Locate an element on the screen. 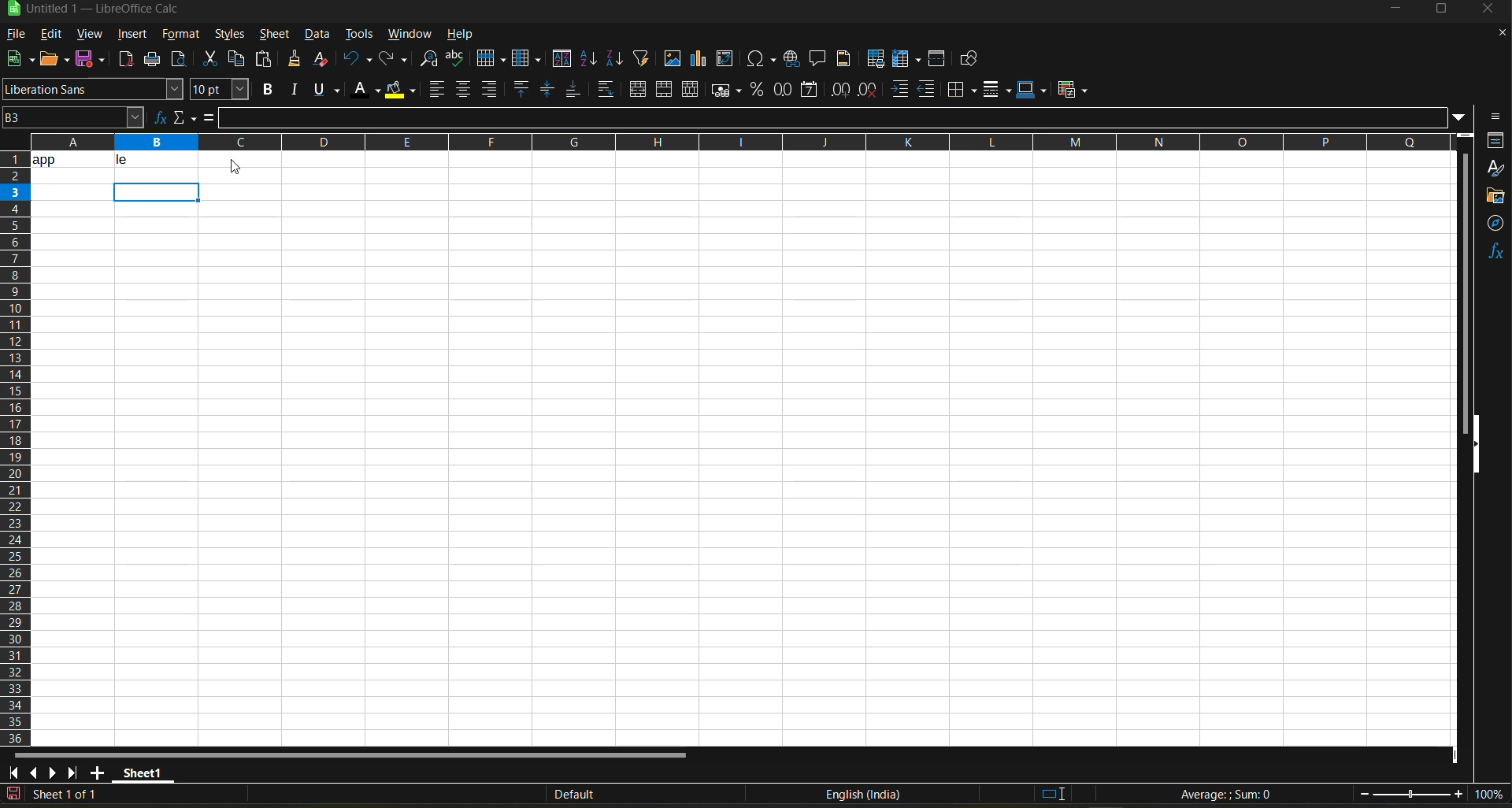  delete decimal place is located at coordinates (869, 90).